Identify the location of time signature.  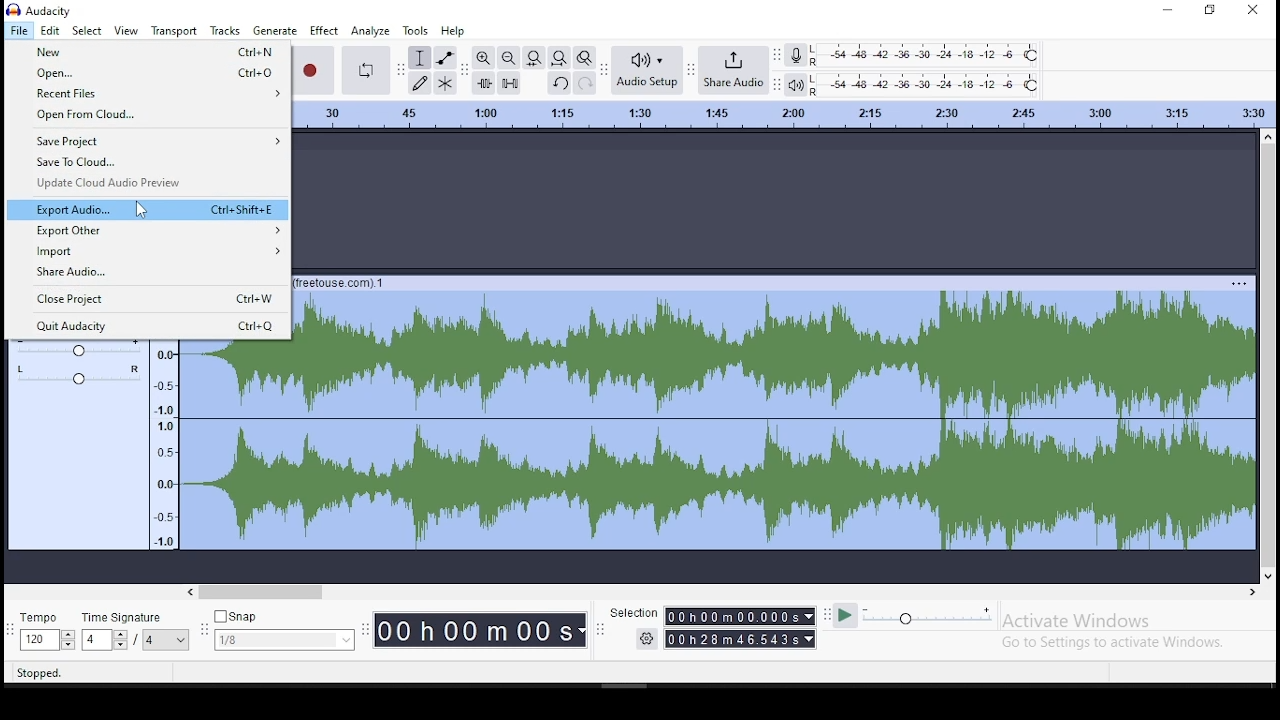
(137, 632).